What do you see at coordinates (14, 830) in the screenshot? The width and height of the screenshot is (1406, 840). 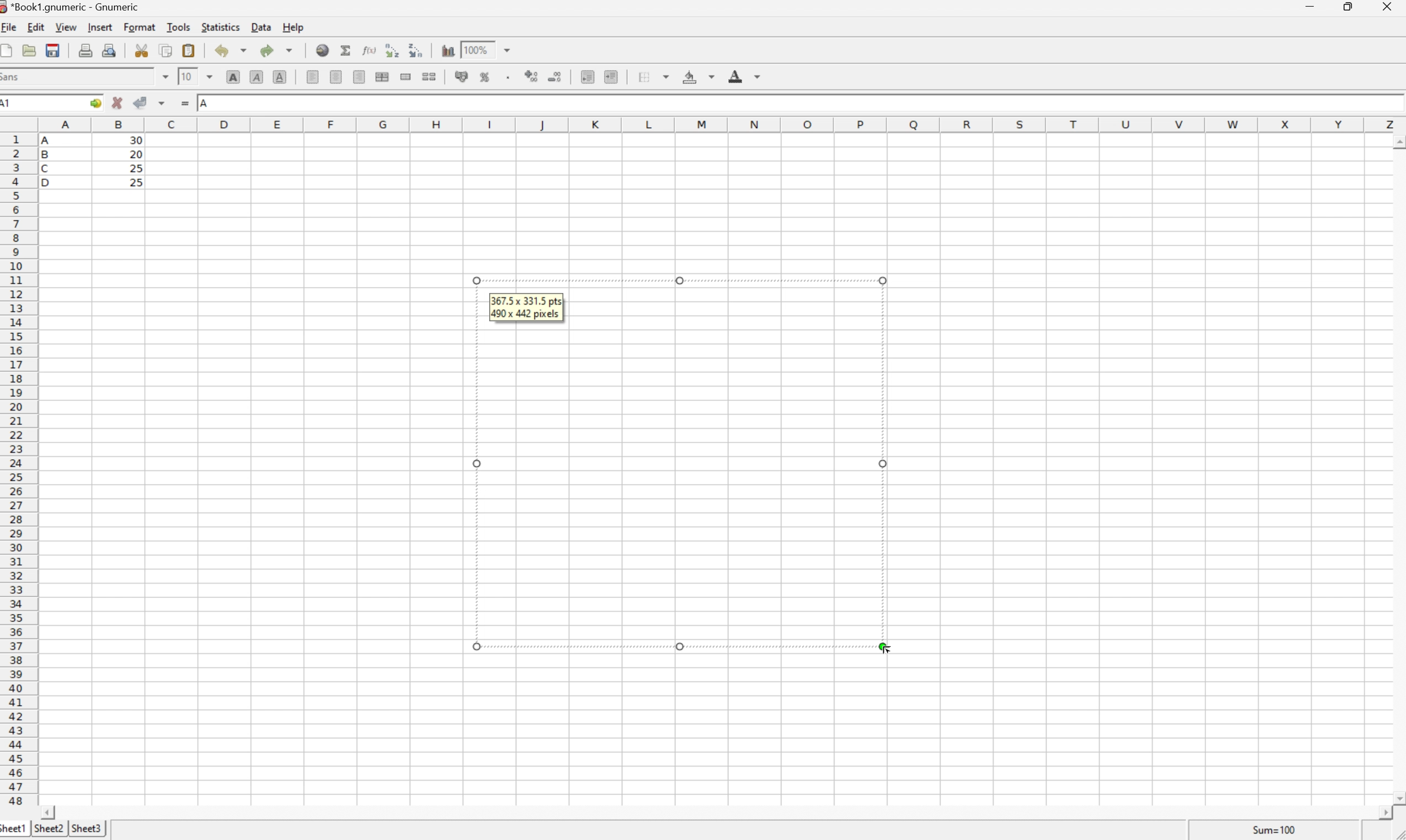 I see `Sheet1` at bounding box center [14, 830].